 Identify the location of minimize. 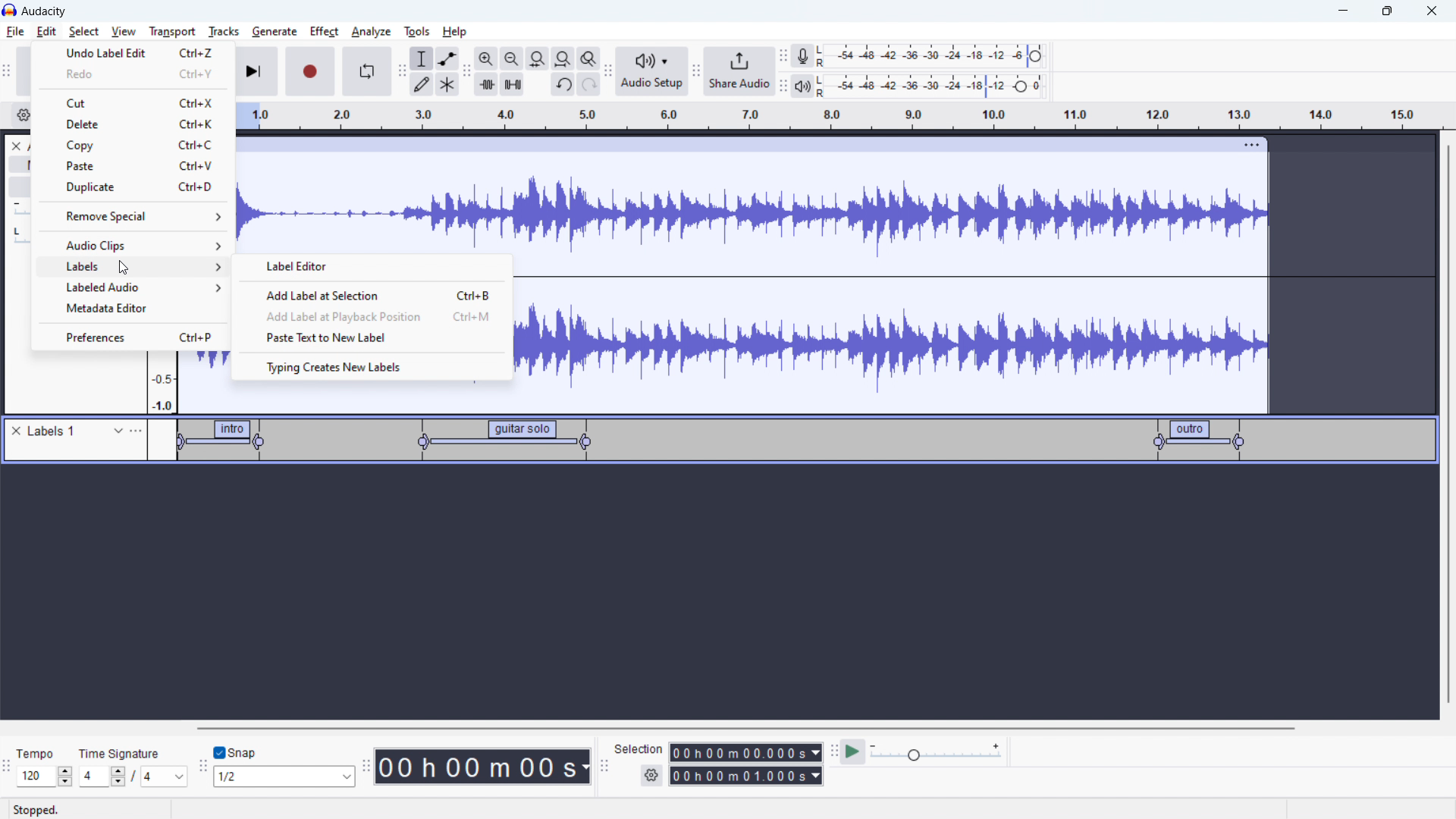
(1342, 11).